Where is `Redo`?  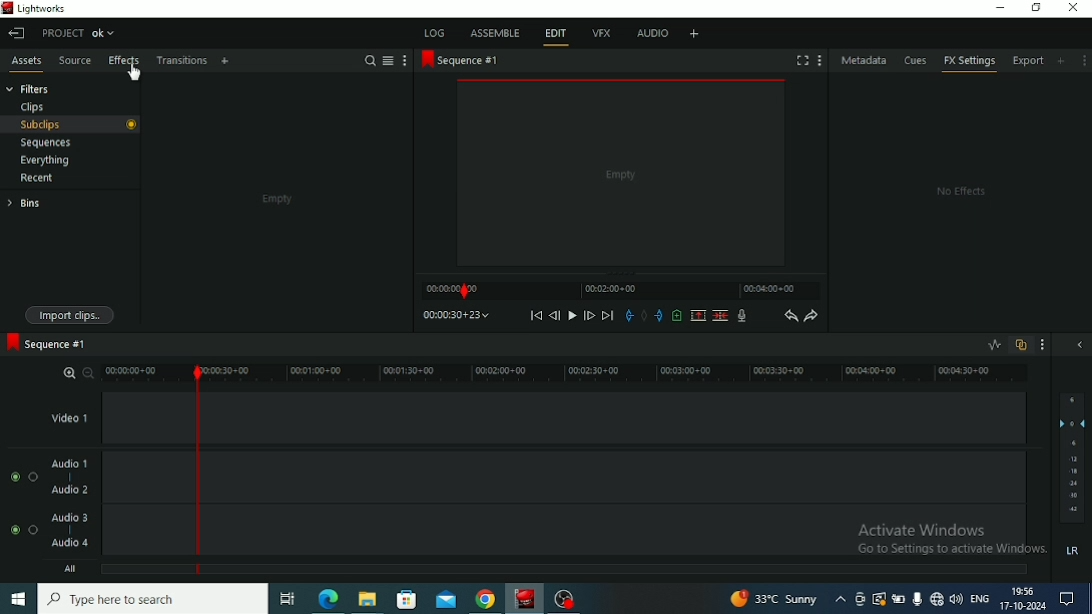 Redo is located at coordinates (812, 315).